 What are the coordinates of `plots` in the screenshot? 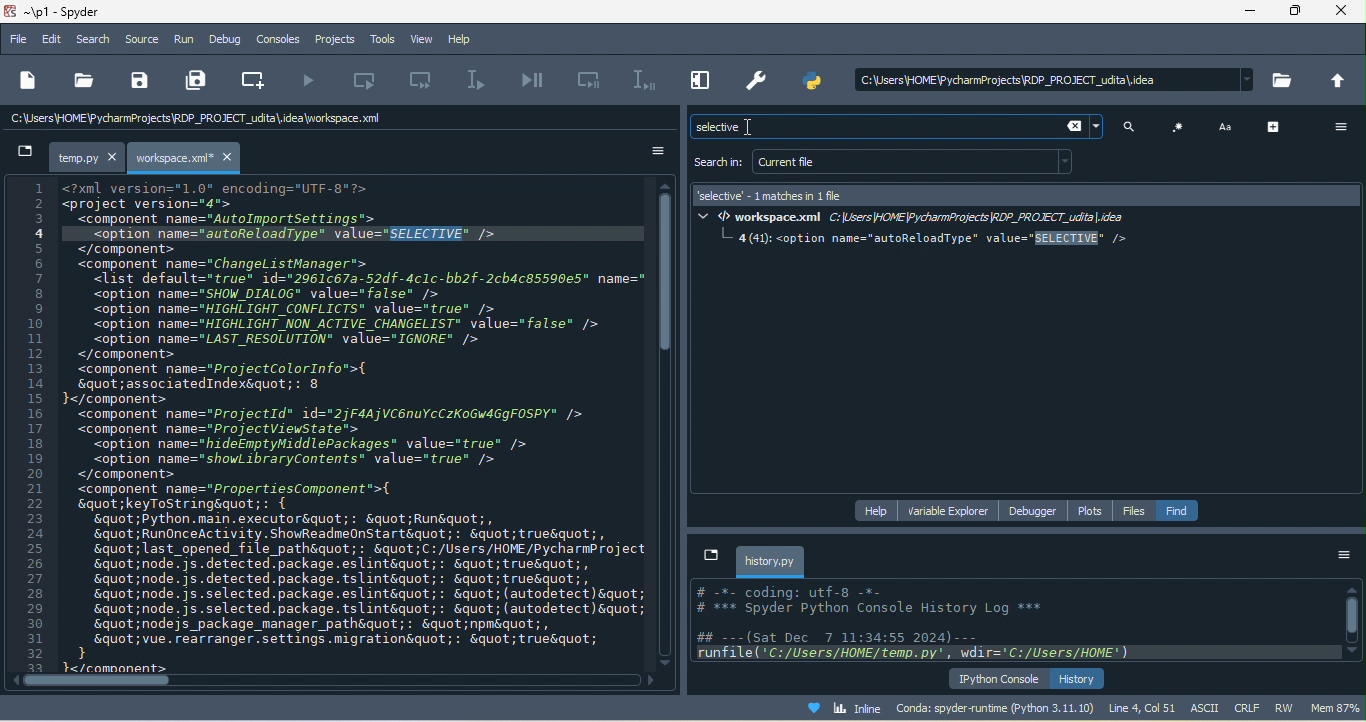 It's located at (1092, 510).